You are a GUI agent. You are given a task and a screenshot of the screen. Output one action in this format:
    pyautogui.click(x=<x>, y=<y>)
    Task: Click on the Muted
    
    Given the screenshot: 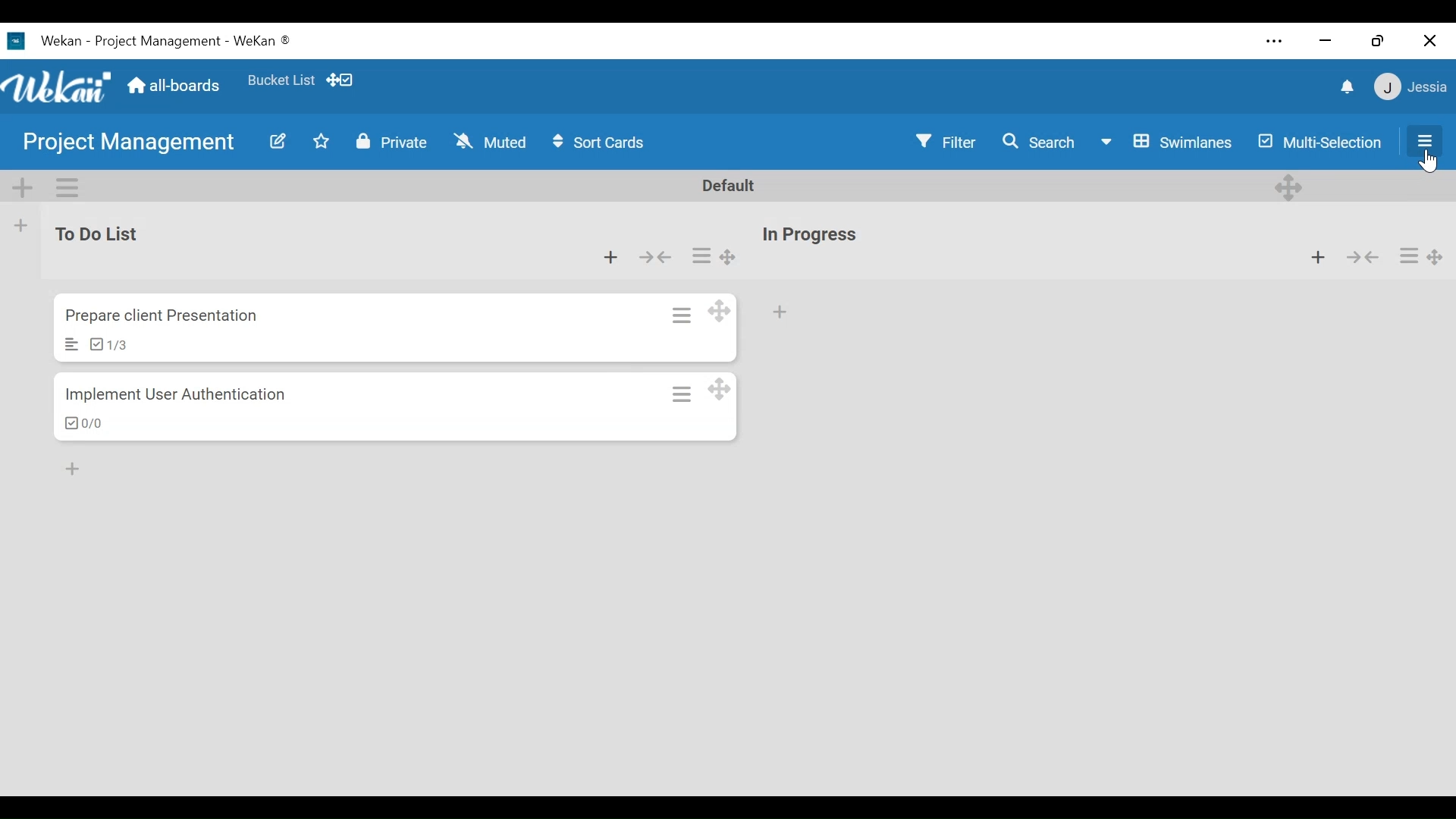 What is the action you would take?
    pyautogui.click(x=490, y=142)
    